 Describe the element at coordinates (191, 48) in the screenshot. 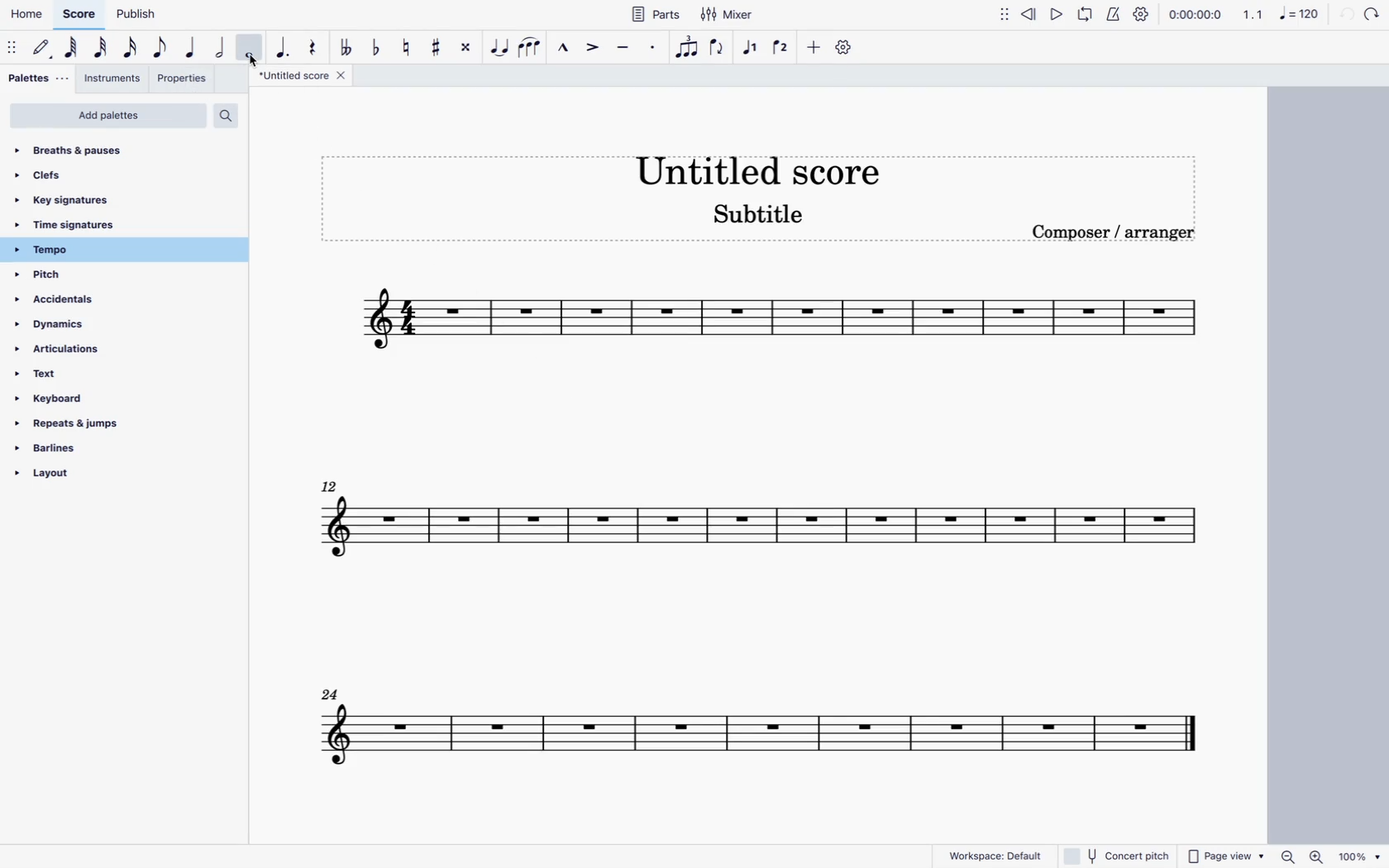

I see `quarter note` at that location.